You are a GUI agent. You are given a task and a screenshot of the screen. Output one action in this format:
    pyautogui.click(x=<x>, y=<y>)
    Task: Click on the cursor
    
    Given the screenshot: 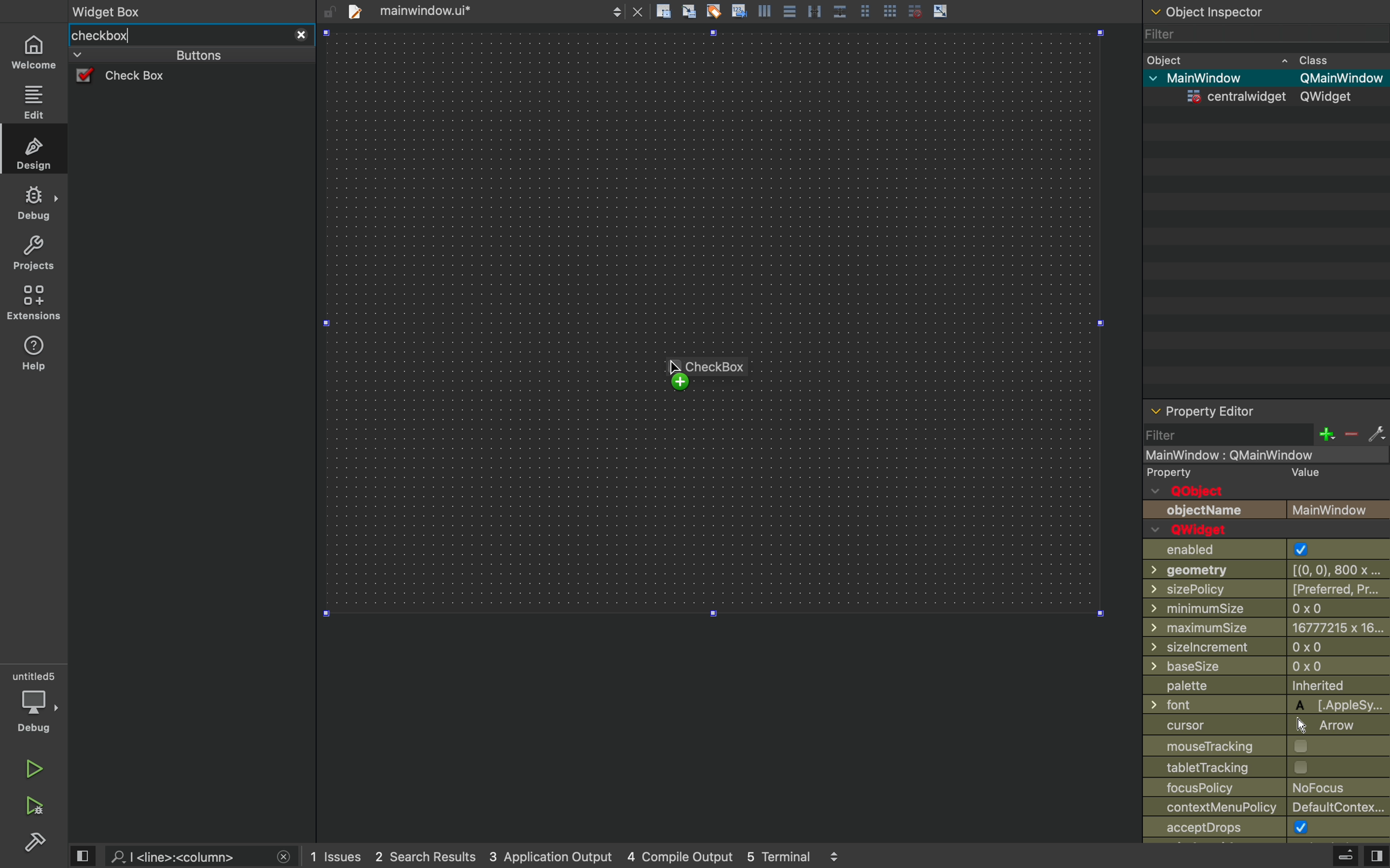 What is the action you would take?
    pyautogui.click(x=1261, y=724)
    